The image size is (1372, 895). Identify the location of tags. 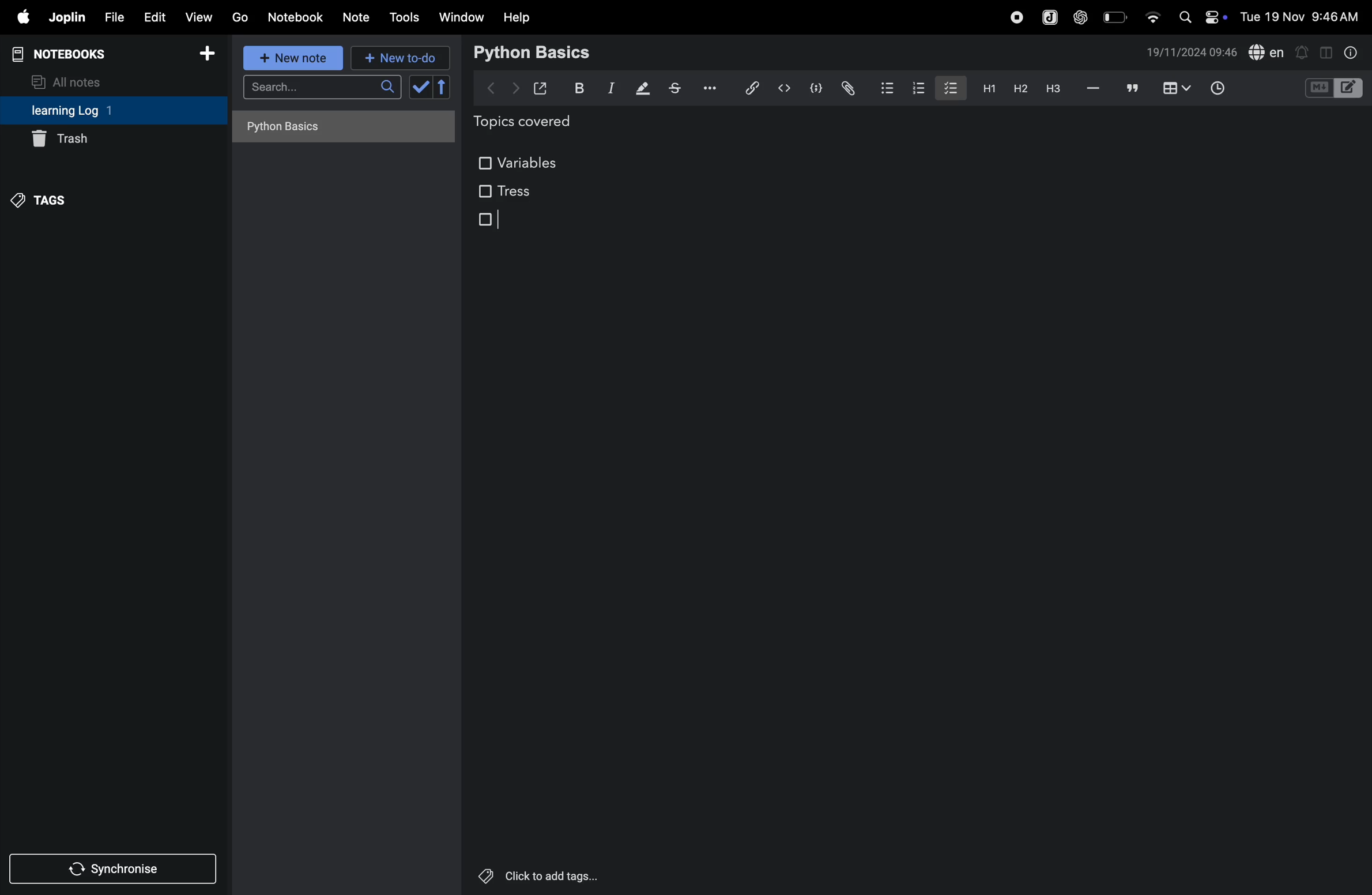
(42, 198).